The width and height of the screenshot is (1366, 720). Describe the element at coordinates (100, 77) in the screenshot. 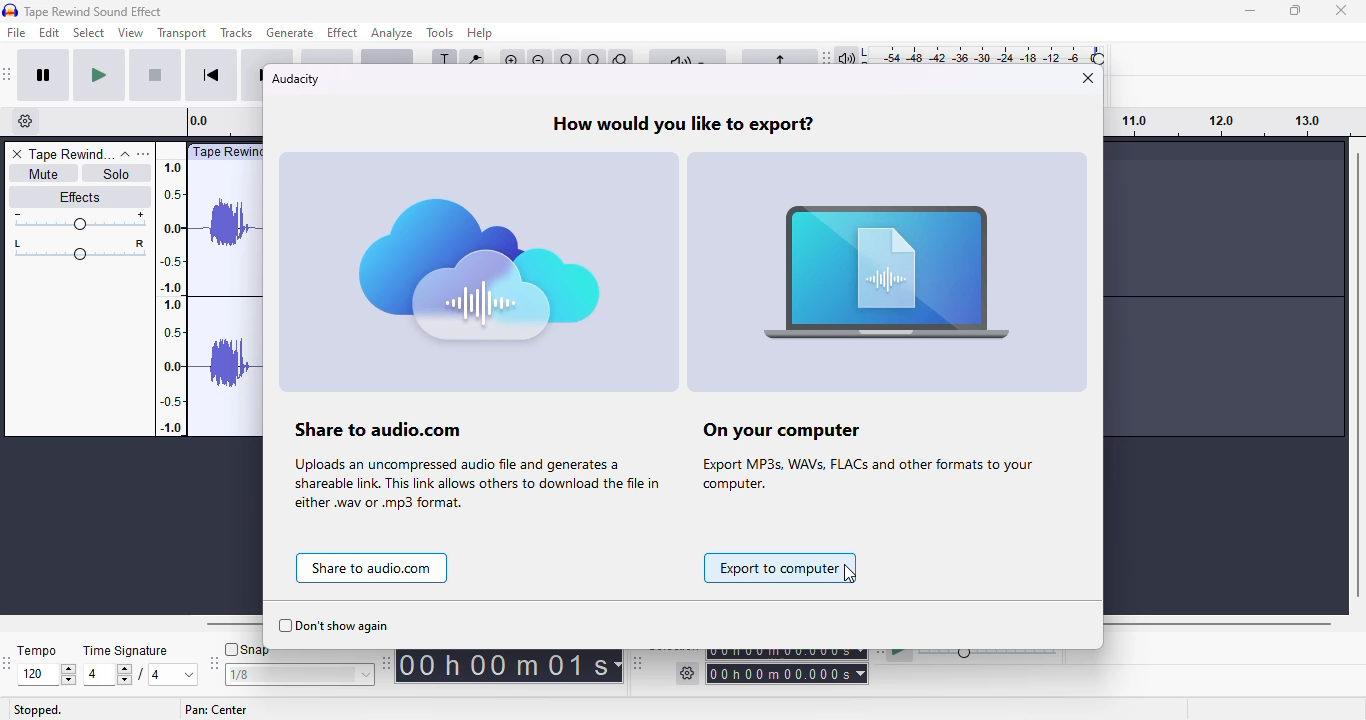

I see `play` at that location.